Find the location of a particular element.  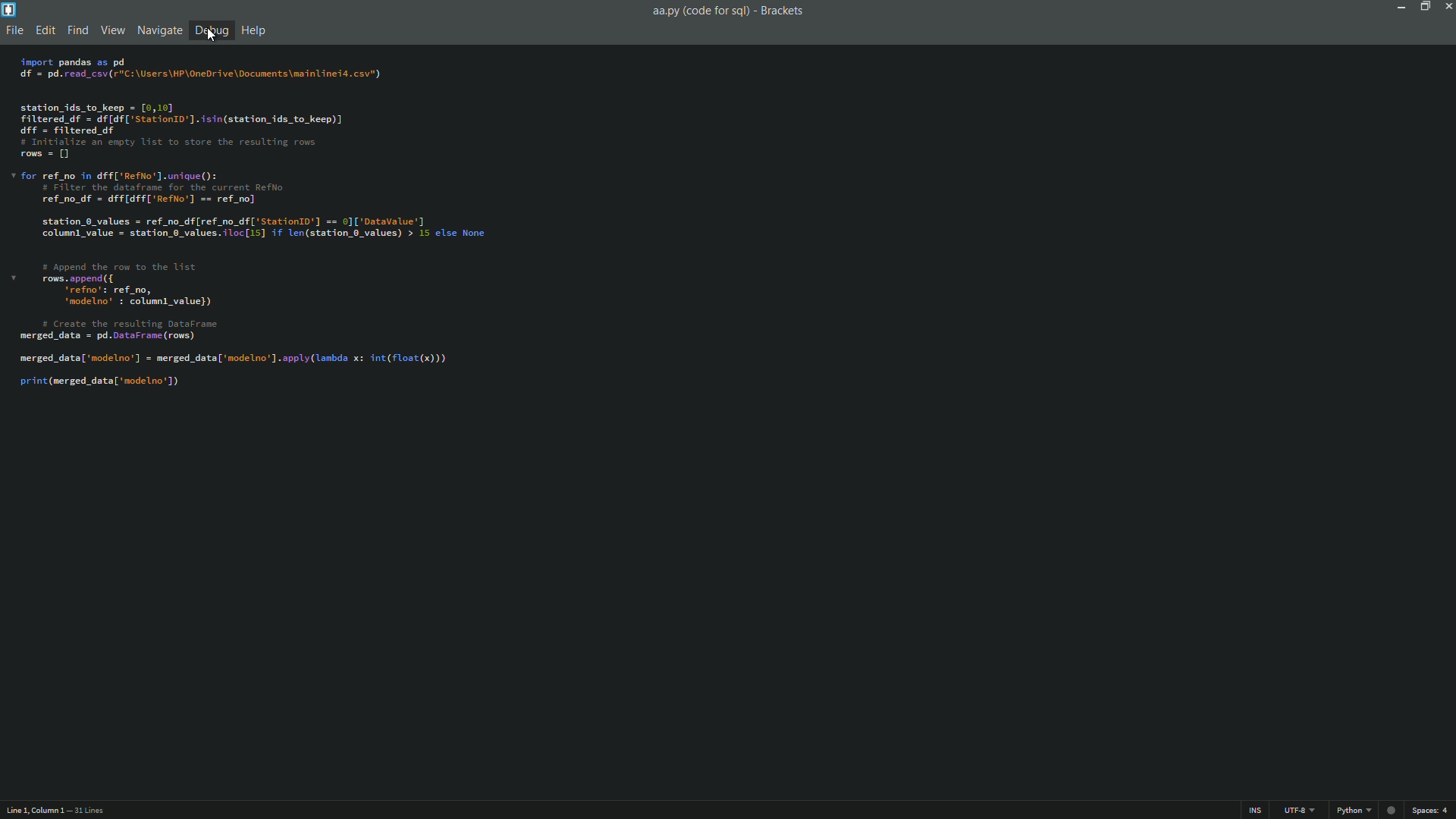

navigate menu is located at coordinates (158, 30).